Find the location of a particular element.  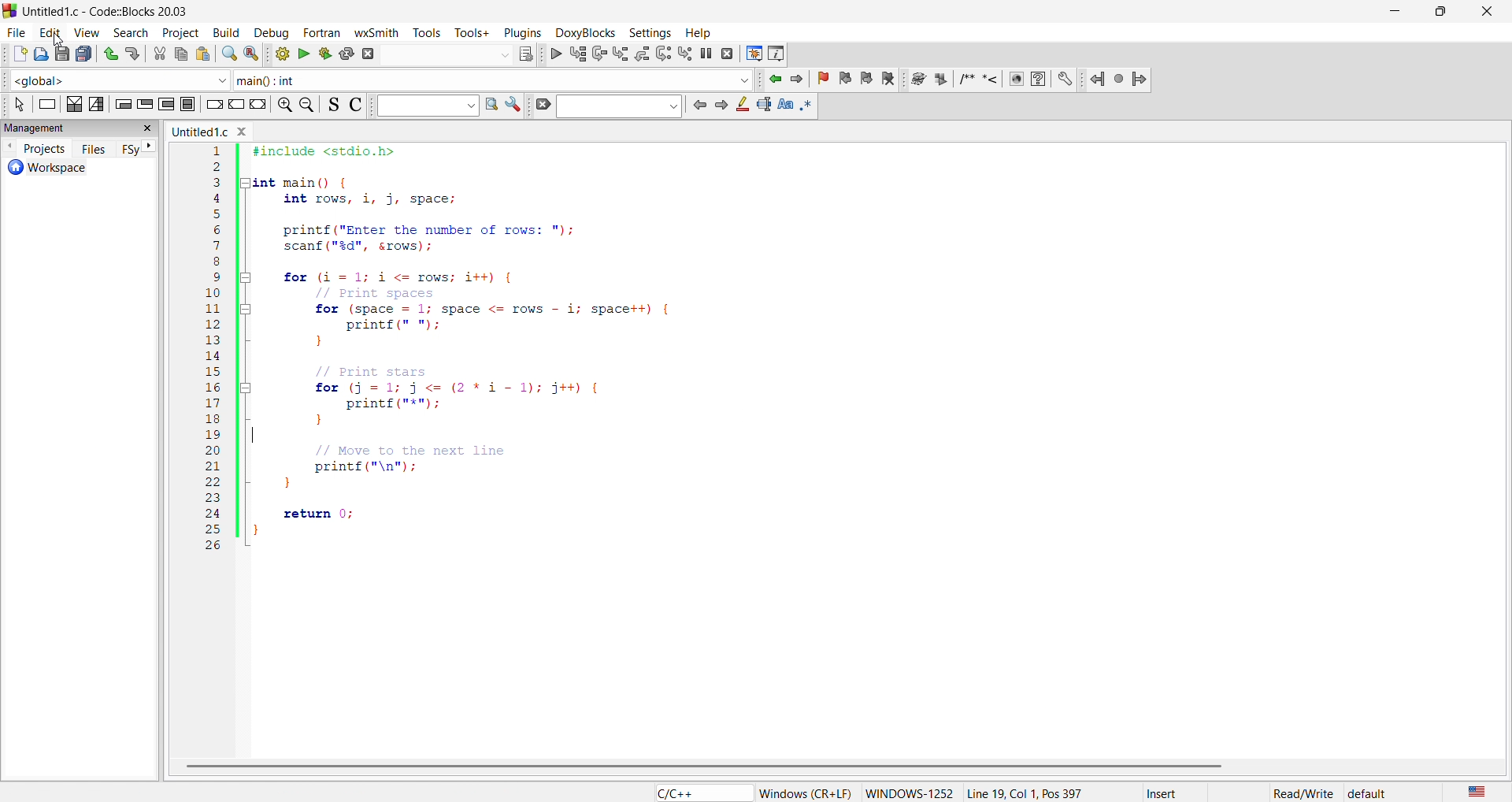

undo is located at coordinates (109, 54).